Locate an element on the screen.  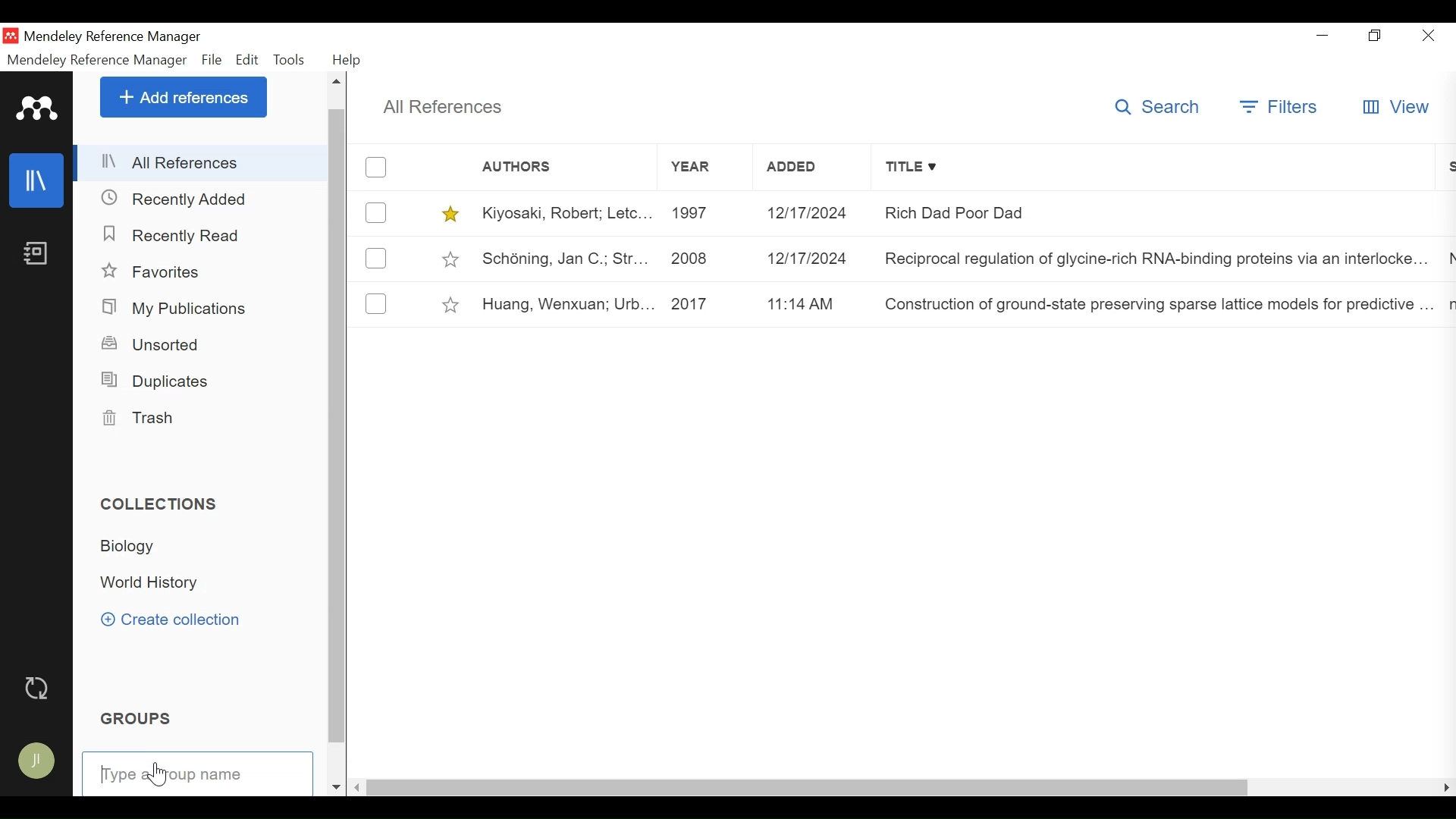
1997 is located at coordinates (704, 214).